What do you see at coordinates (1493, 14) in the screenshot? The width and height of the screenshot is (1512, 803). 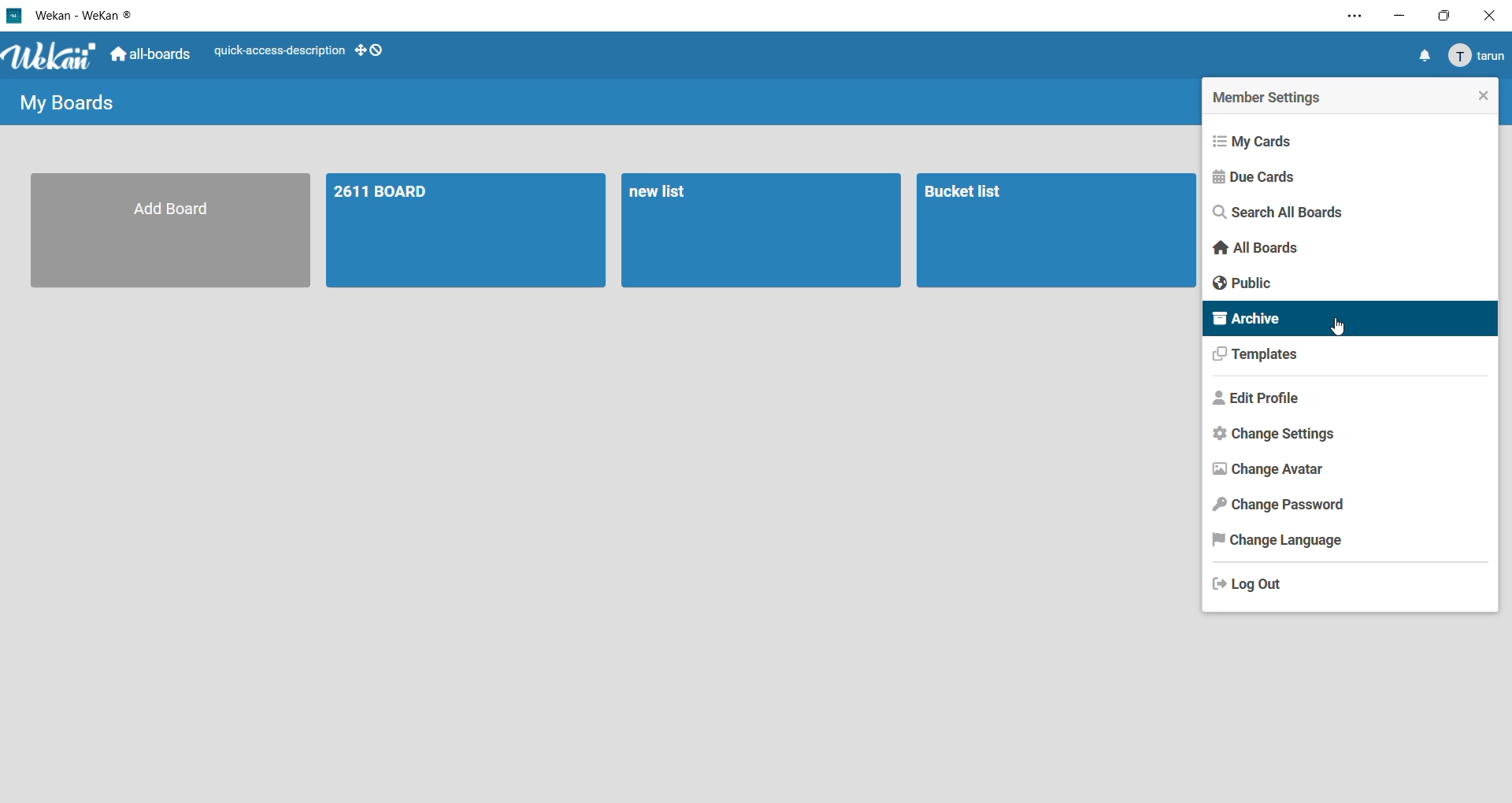 I see `close` at bounding box center [1493, 14].